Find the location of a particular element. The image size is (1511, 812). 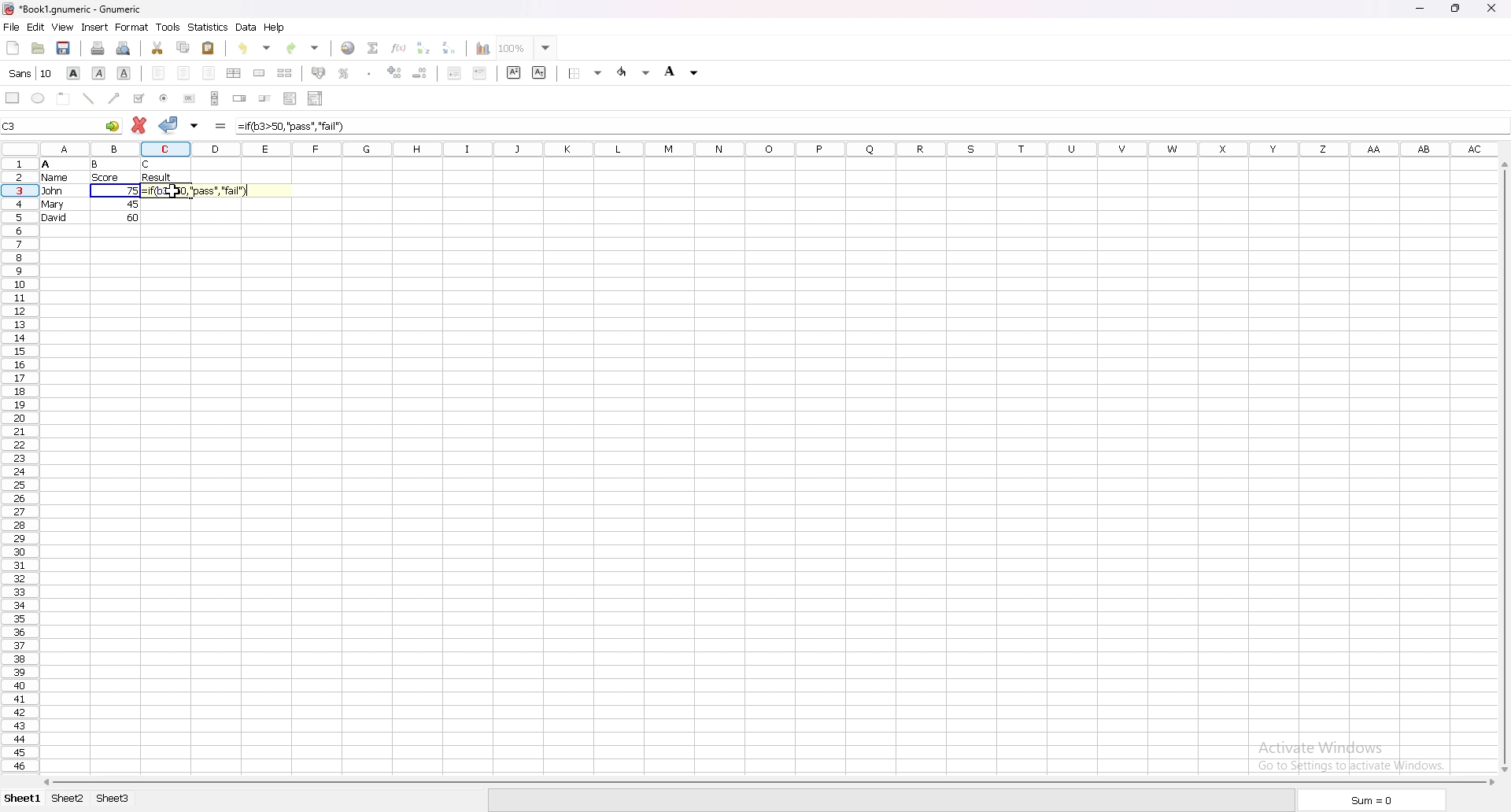

john is located at coordinates (52, 190).